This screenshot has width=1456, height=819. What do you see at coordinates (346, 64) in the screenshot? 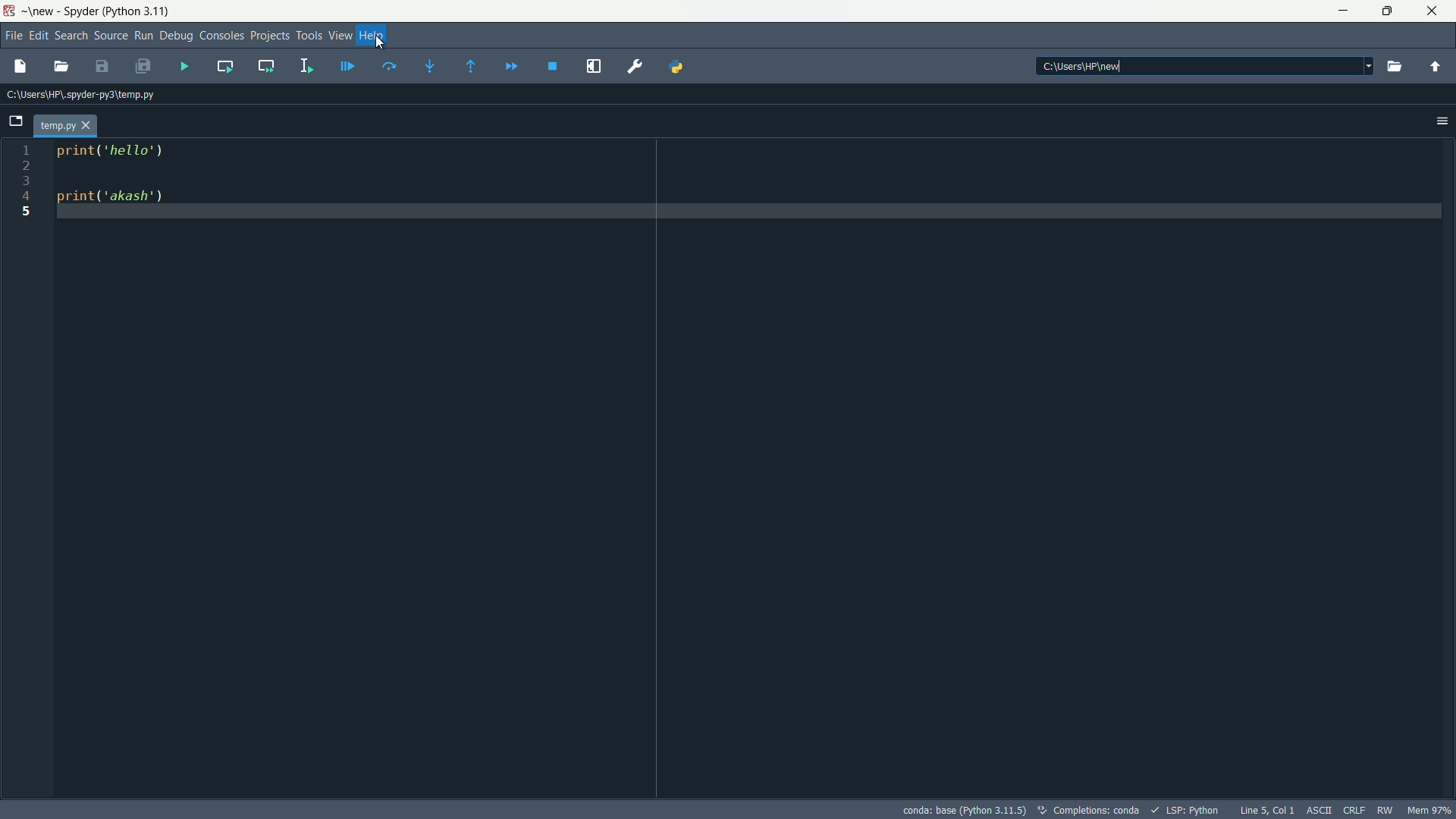
I see `debug file` at bounding box center [346, 64].